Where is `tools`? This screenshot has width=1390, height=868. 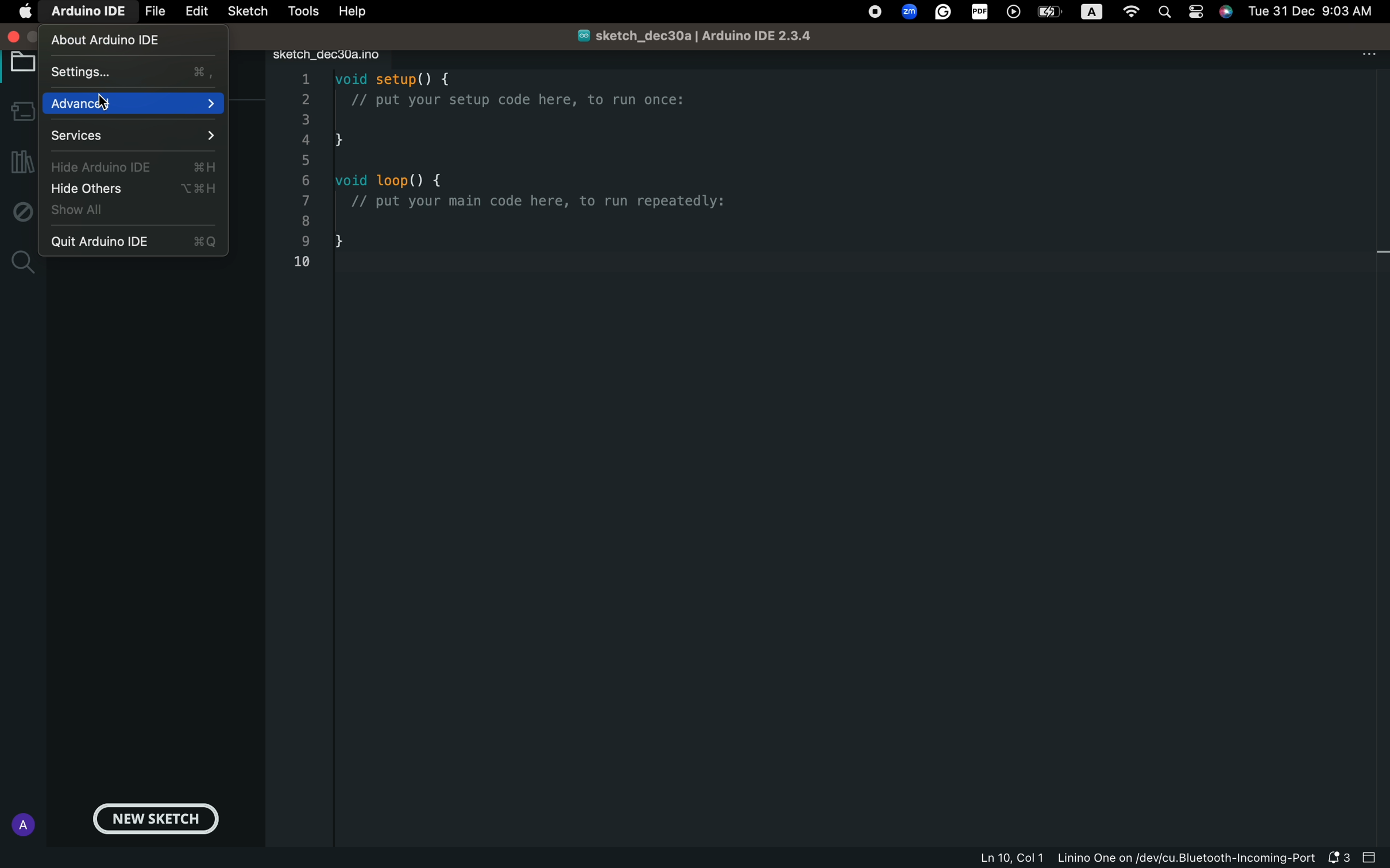
tools is located at coordinates (300, 11).